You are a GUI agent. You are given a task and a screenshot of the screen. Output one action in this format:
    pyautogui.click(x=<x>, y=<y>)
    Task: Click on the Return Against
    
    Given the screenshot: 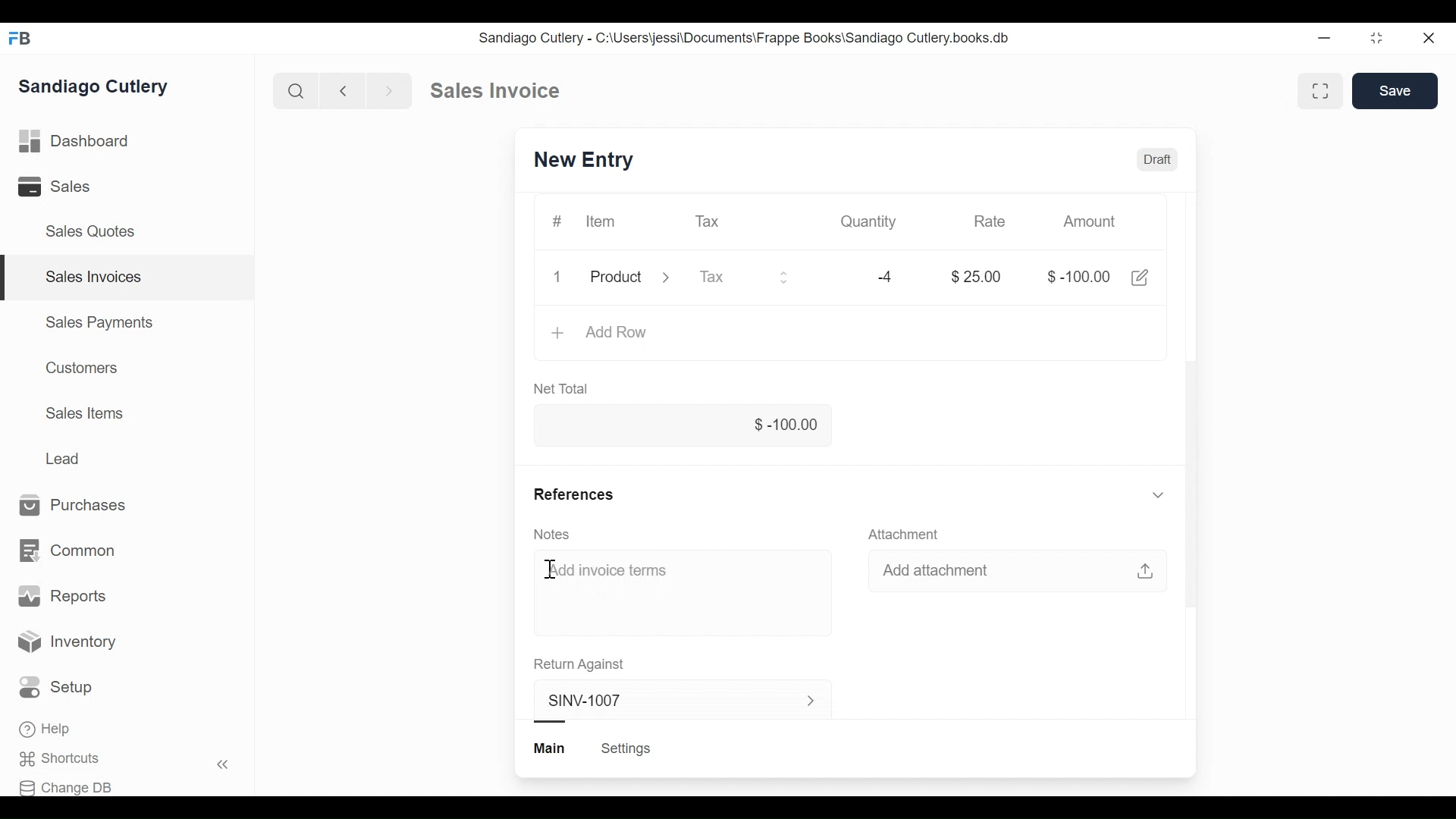 What is the action you would take?
    pyautogui.click(x=579, y=664)
    